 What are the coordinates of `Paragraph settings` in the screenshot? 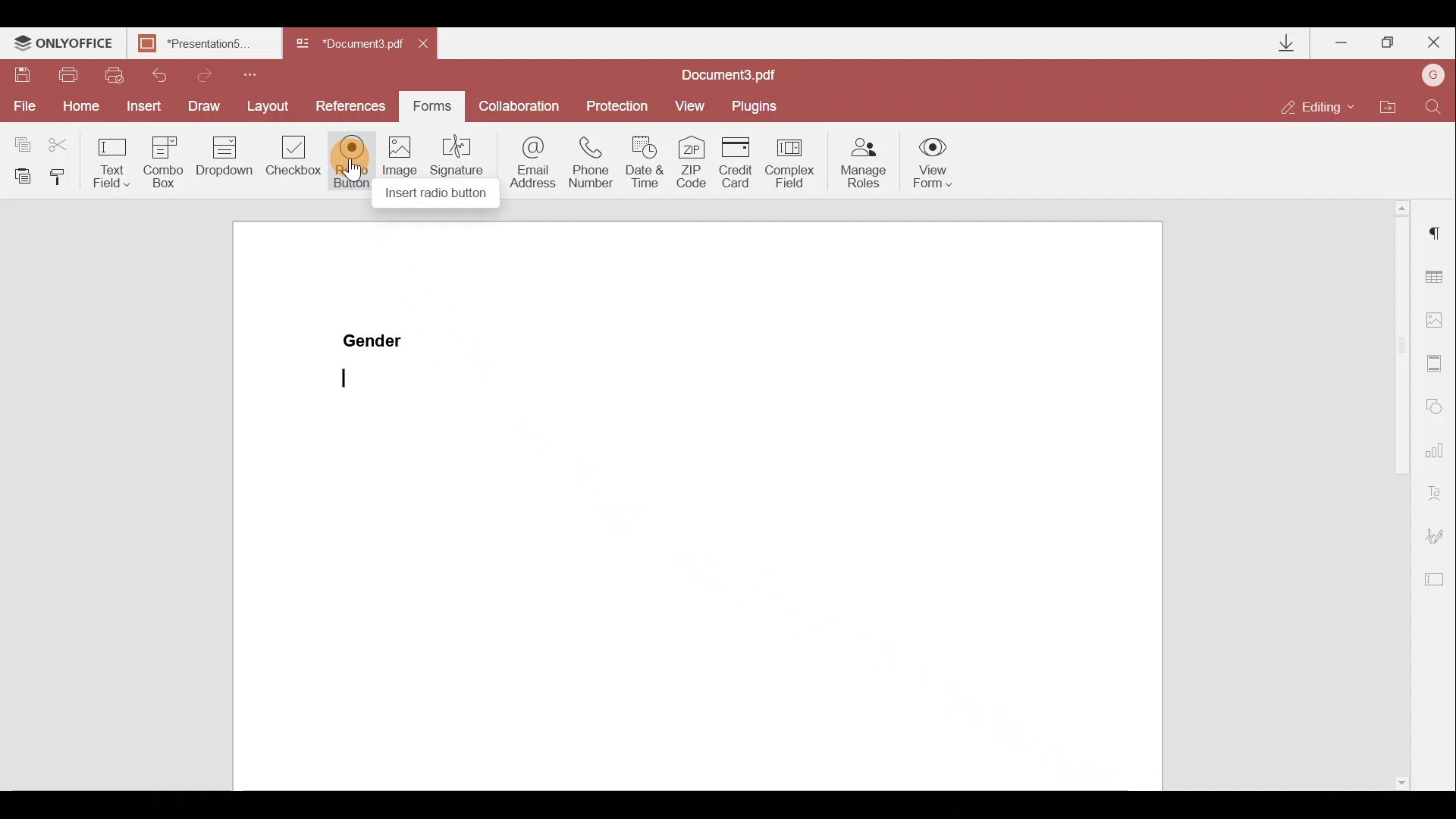 It's located at (1434, 240).